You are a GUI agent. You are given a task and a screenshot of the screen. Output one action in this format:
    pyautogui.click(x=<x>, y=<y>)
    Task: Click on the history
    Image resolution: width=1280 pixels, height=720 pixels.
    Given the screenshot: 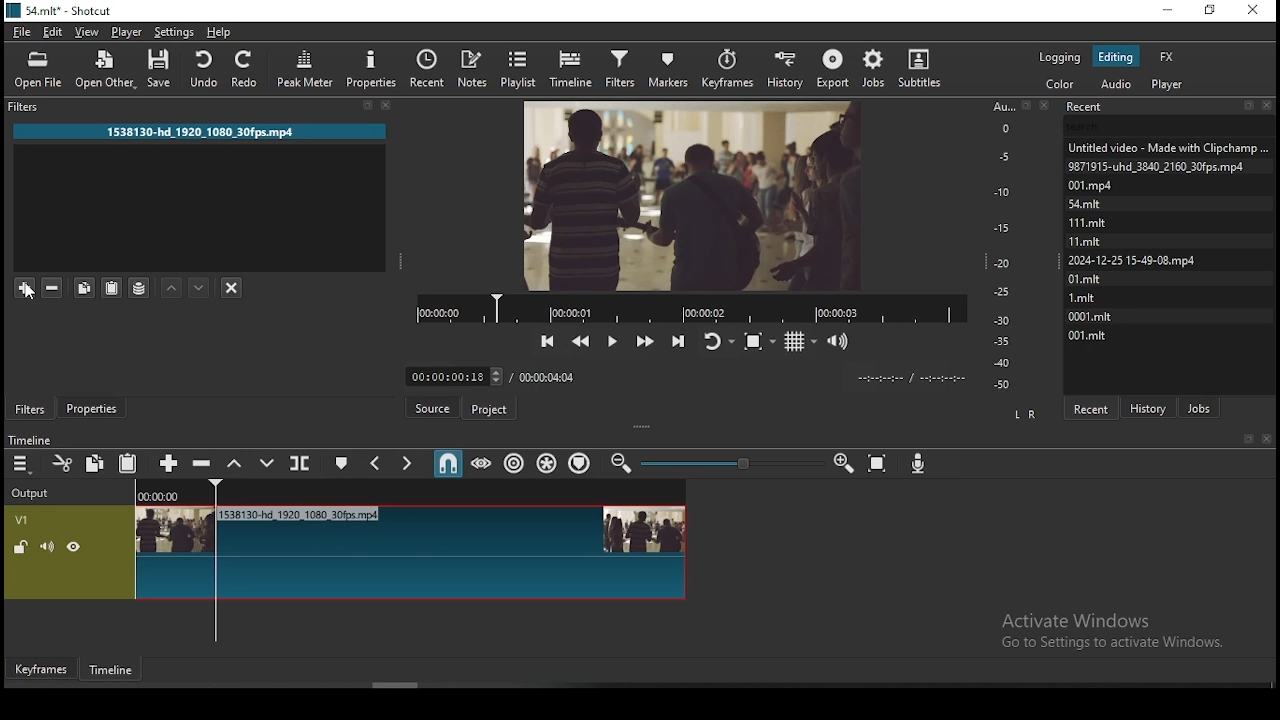 What is the action you would take?
    pyautogui.click(x=786, y=69)
    